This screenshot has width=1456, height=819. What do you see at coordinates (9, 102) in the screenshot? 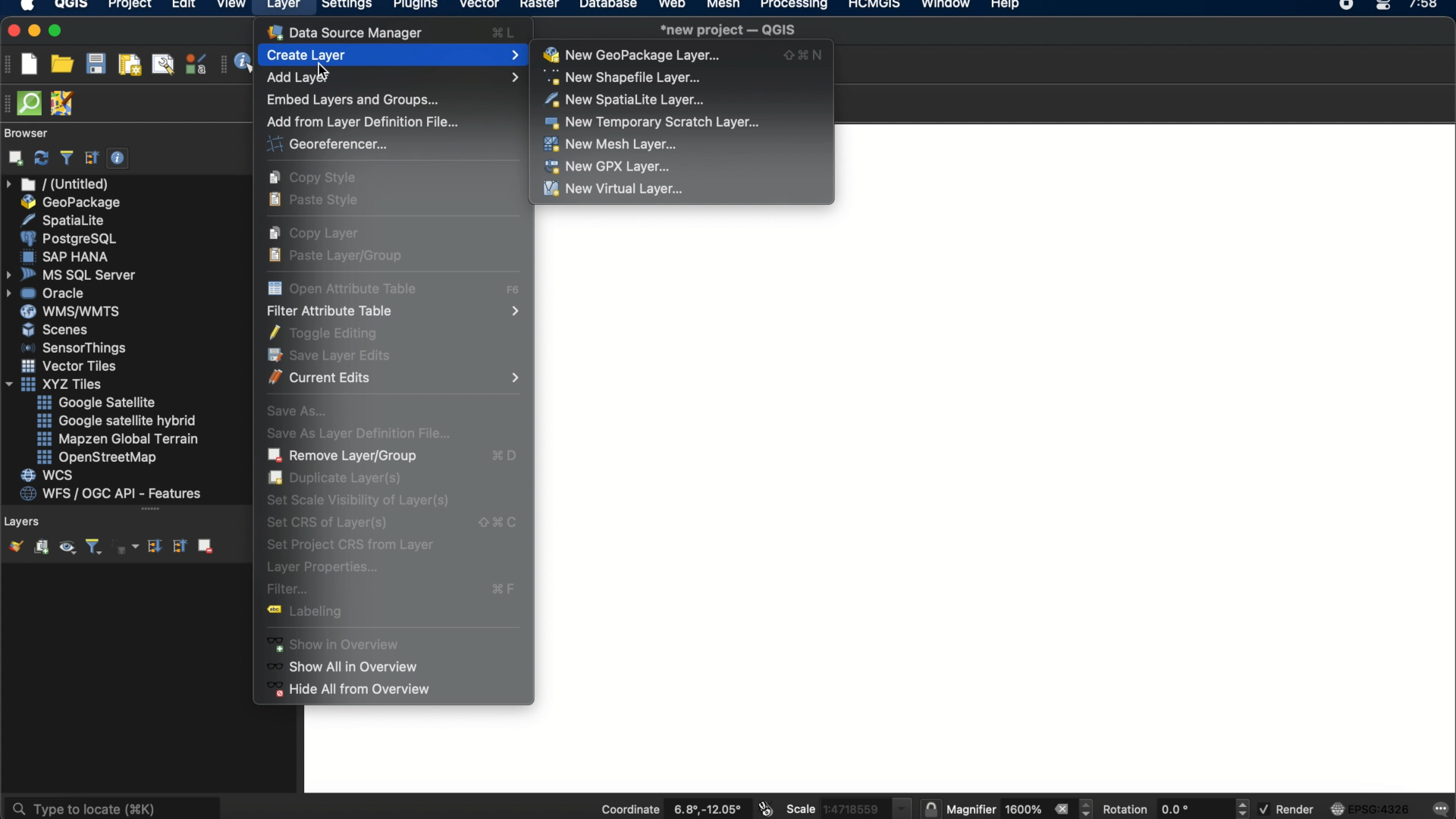
I see `hidden toolbar` at bounding box center [9, 102].